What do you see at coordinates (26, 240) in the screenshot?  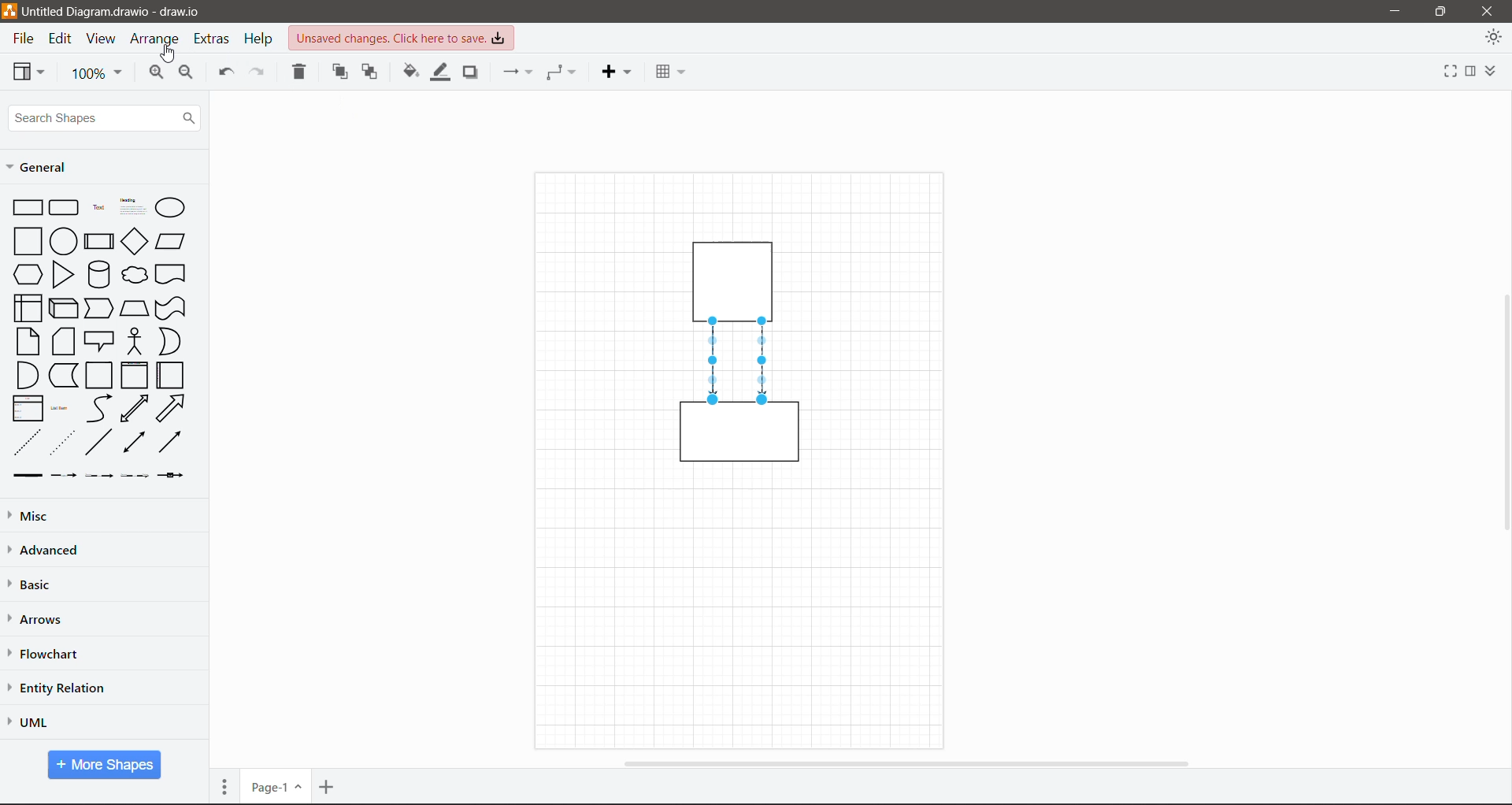 I see `Square` at bounding box center [26, 240].